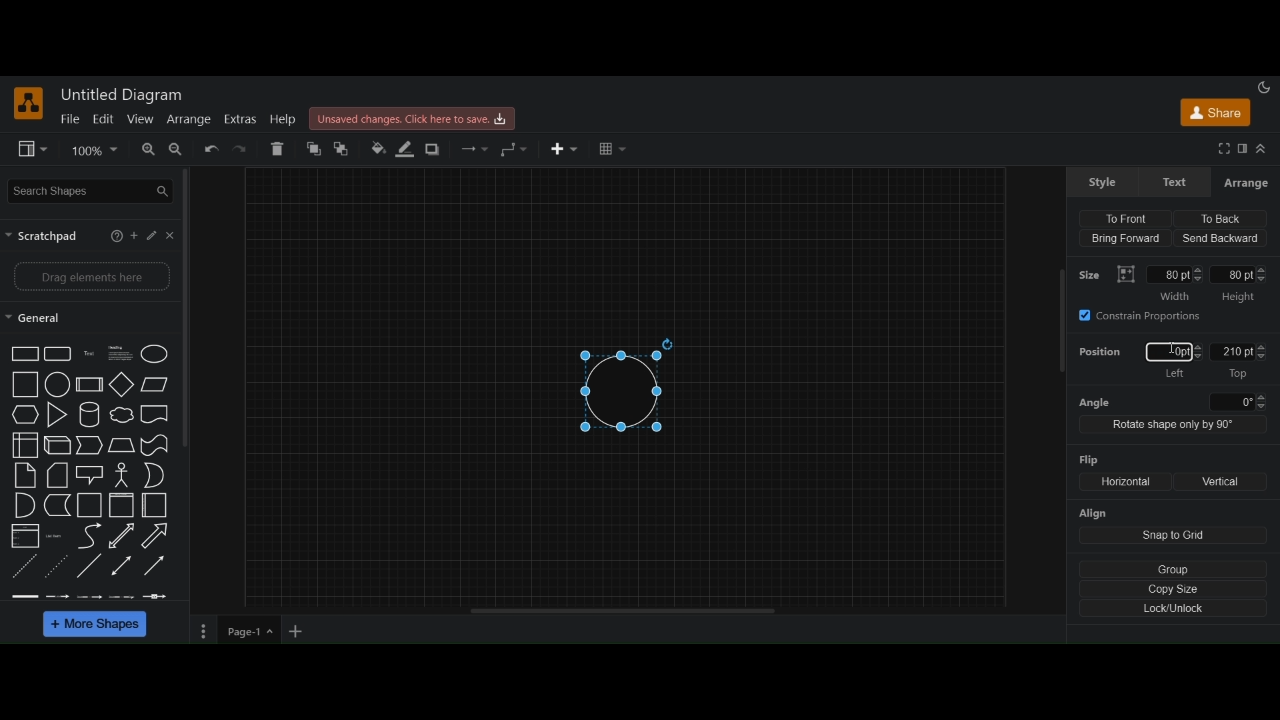 Image resolution: width=1280 pixels, height=720 pixels. What do you see at coordinates (212, 150) in the screenshot?
I see `undo` at bounding box center [212, 150].